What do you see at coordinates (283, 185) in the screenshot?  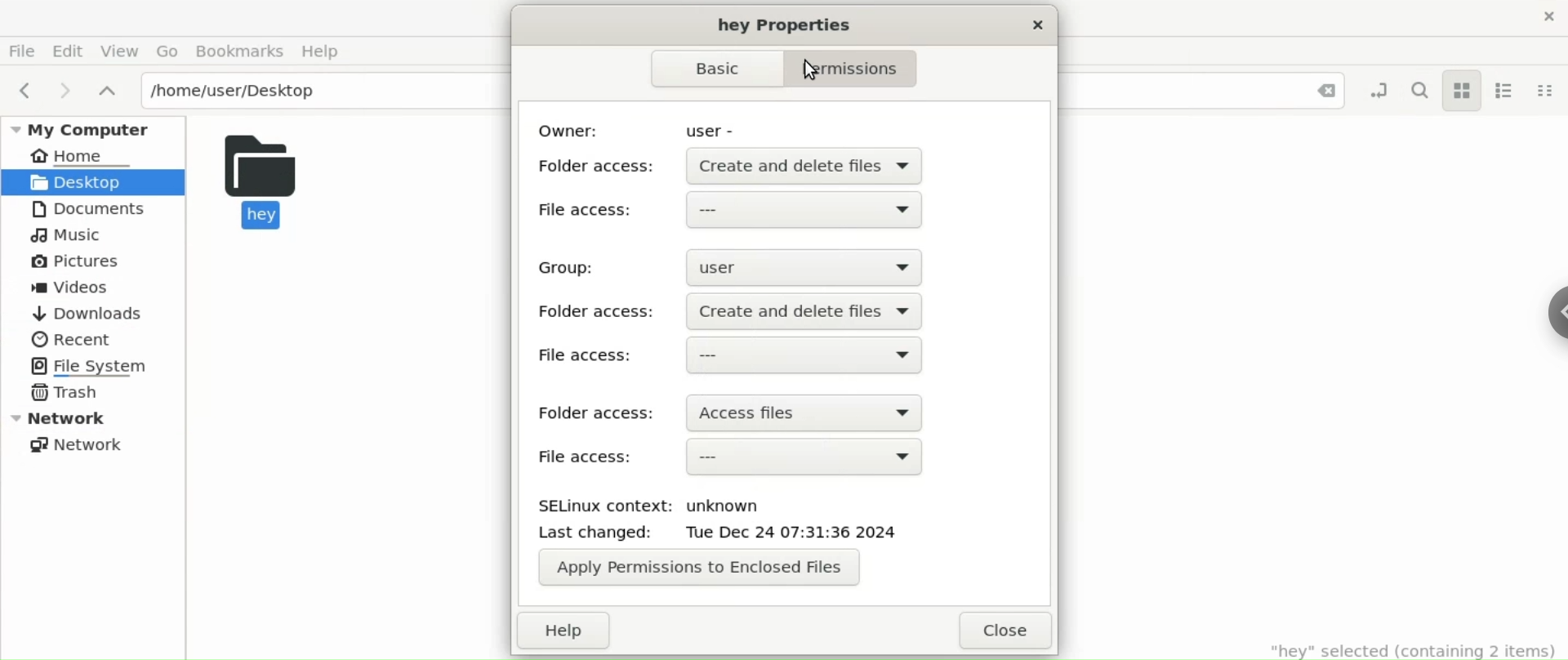 I see `hey` at bounding box center [283, 185].